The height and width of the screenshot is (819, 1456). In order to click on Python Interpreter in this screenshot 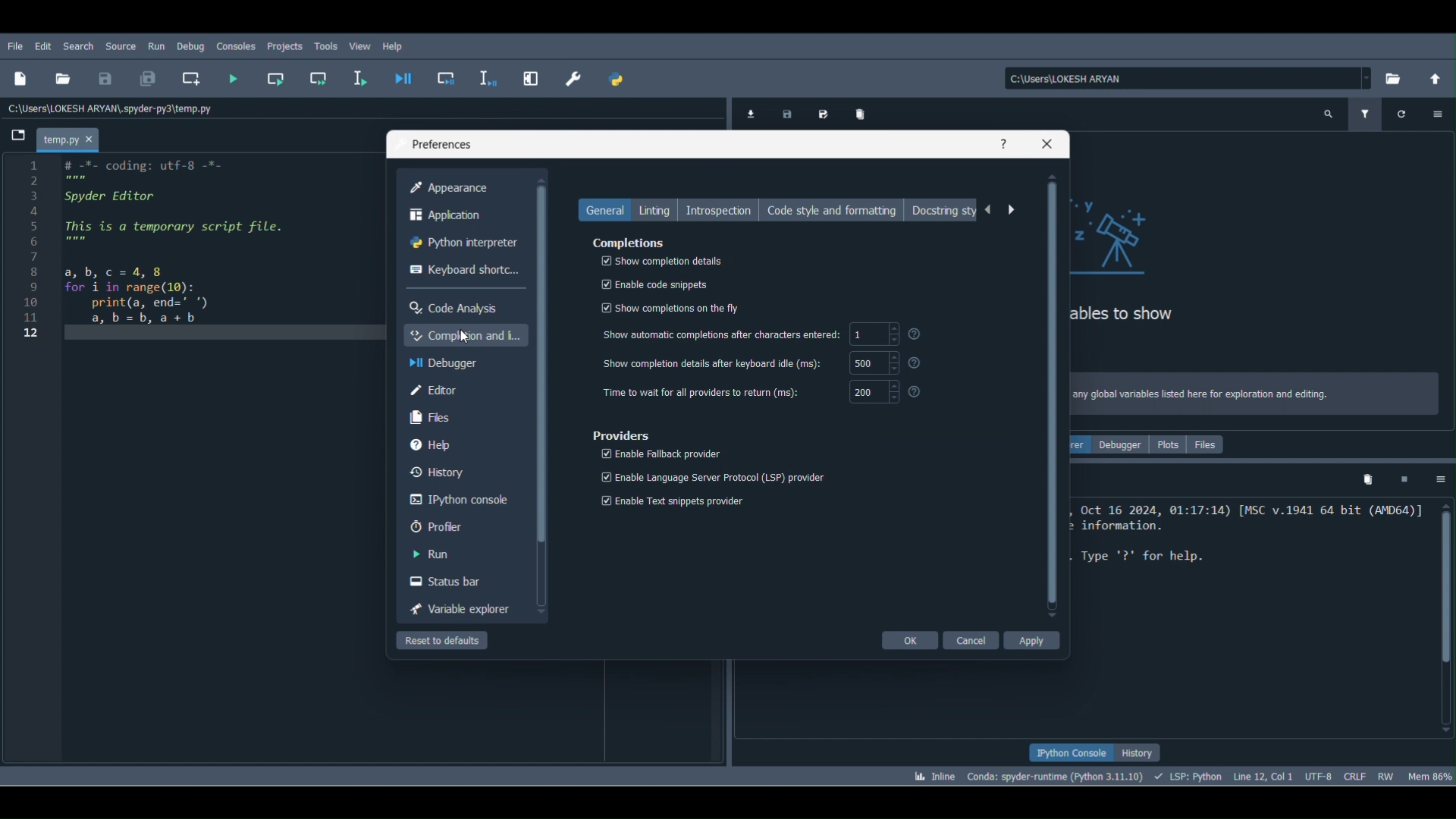, I will do `click(464, 240)`.